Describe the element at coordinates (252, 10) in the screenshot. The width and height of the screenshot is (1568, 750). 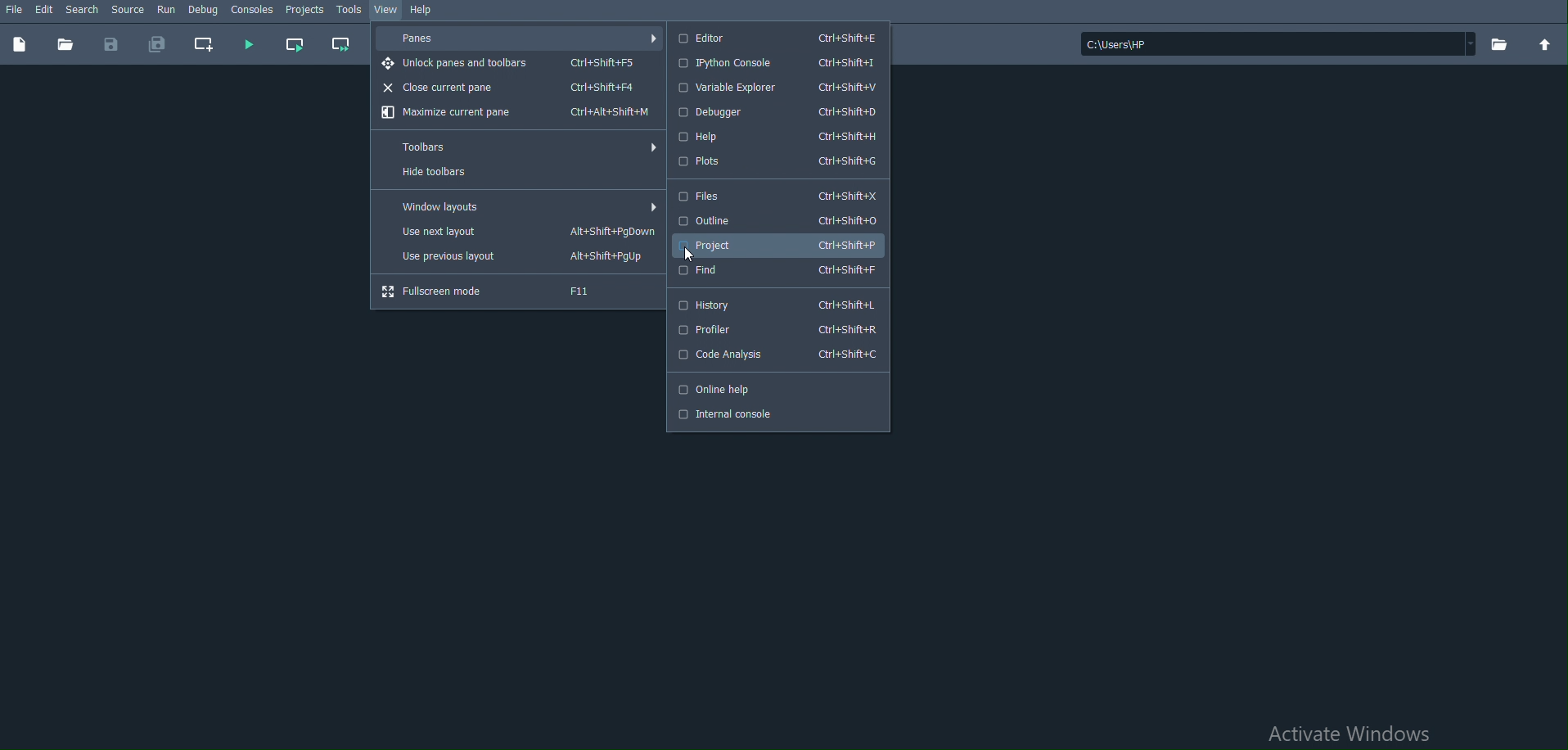
I see `Consoles` at that location.